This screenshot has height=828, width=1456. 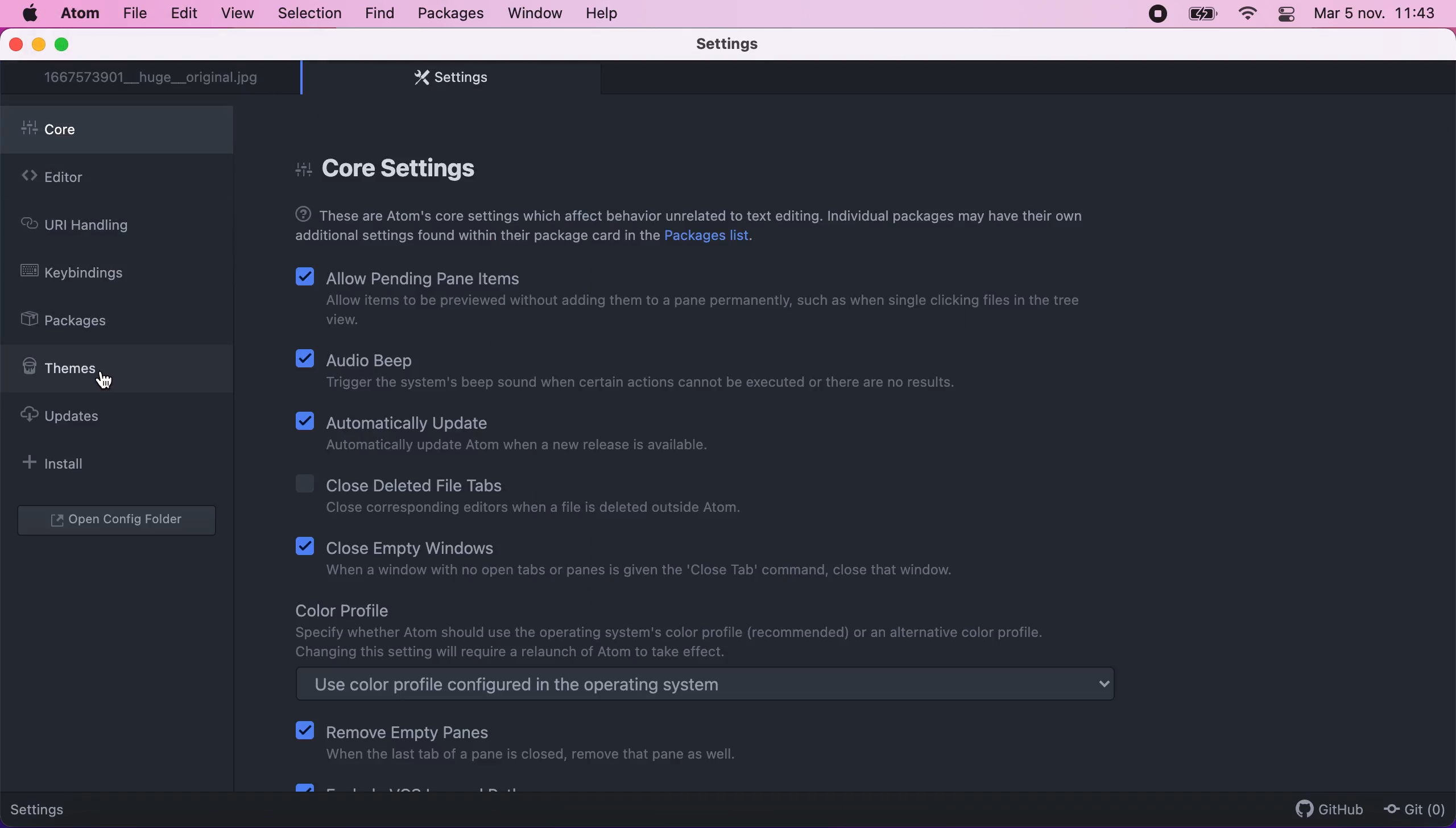 What do you see at coordinates (77, 465) in the screenshot?
I see `install` at bounding box center [77, 465].